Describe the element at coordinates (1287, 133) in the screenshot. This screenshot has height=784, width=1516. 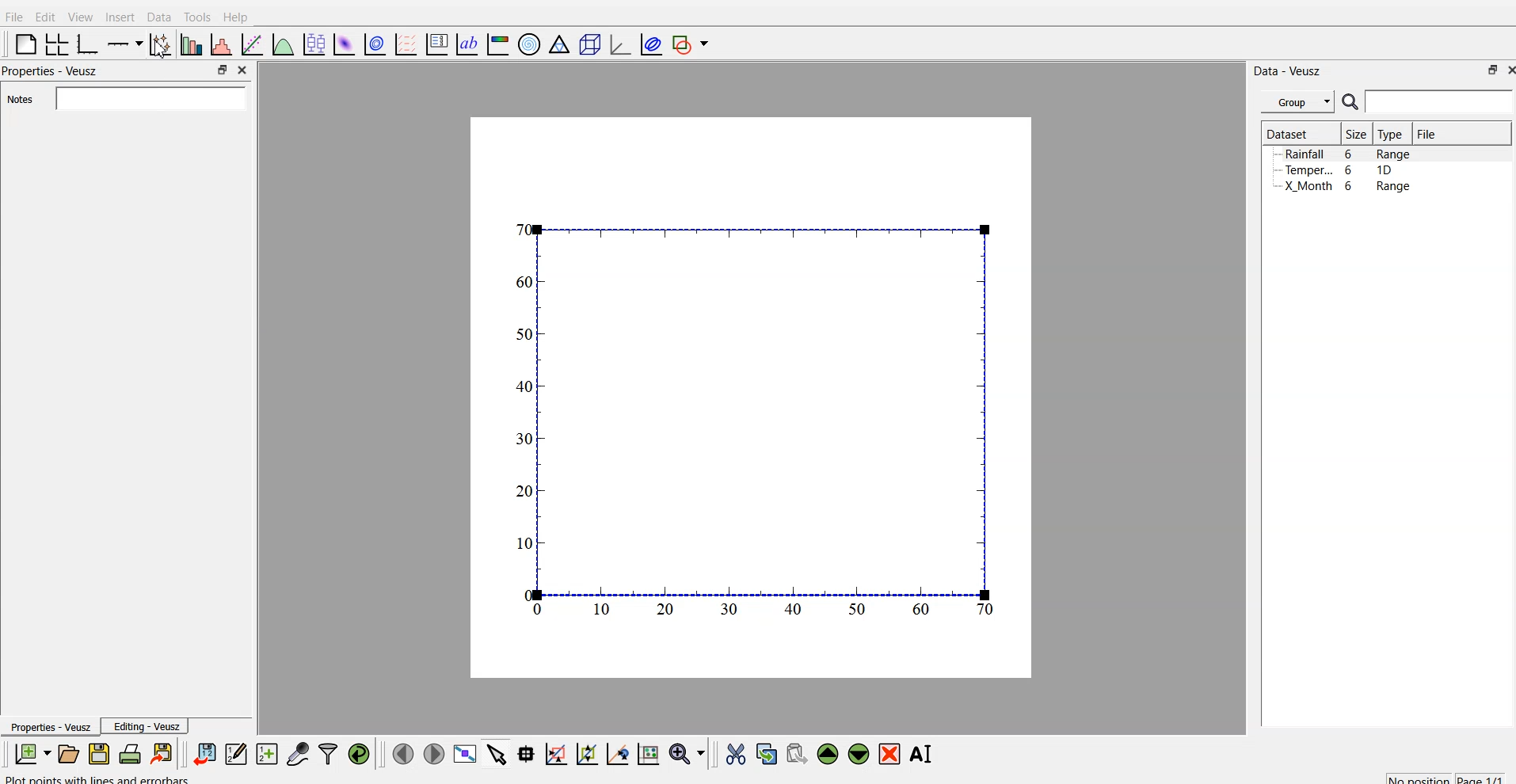
I see `Dataset` at that location.